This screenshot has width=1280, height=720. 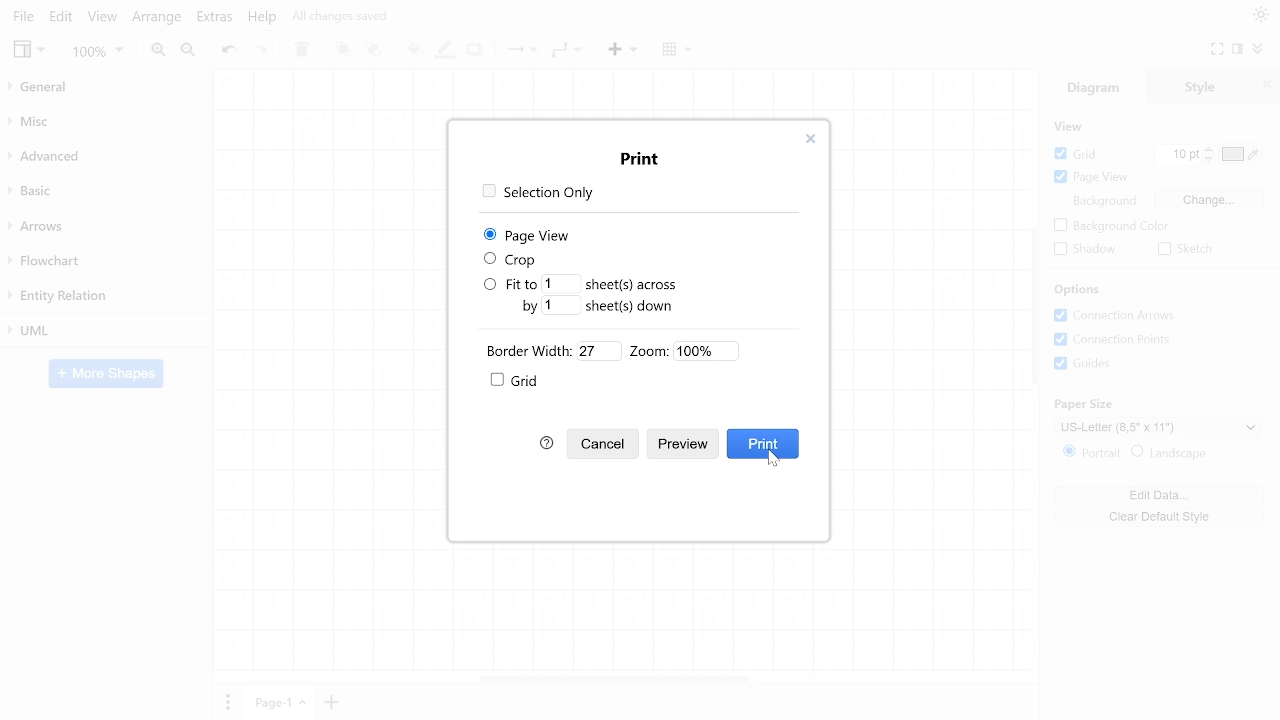 I want to click on Selection only, so click(x=540, y=193).